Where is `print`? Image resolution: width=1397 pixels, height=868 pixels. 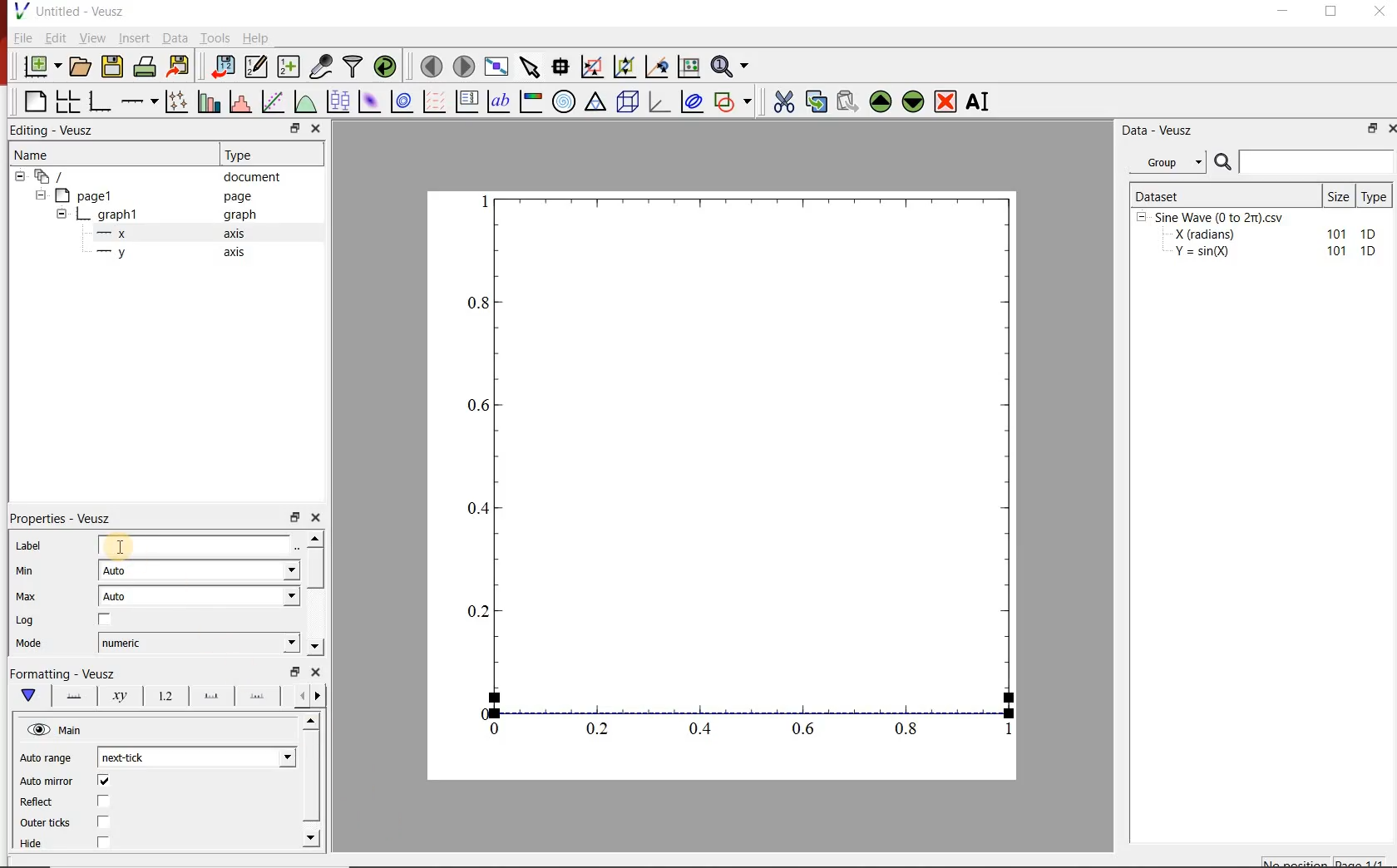
print is located at coordinates (146, 67).